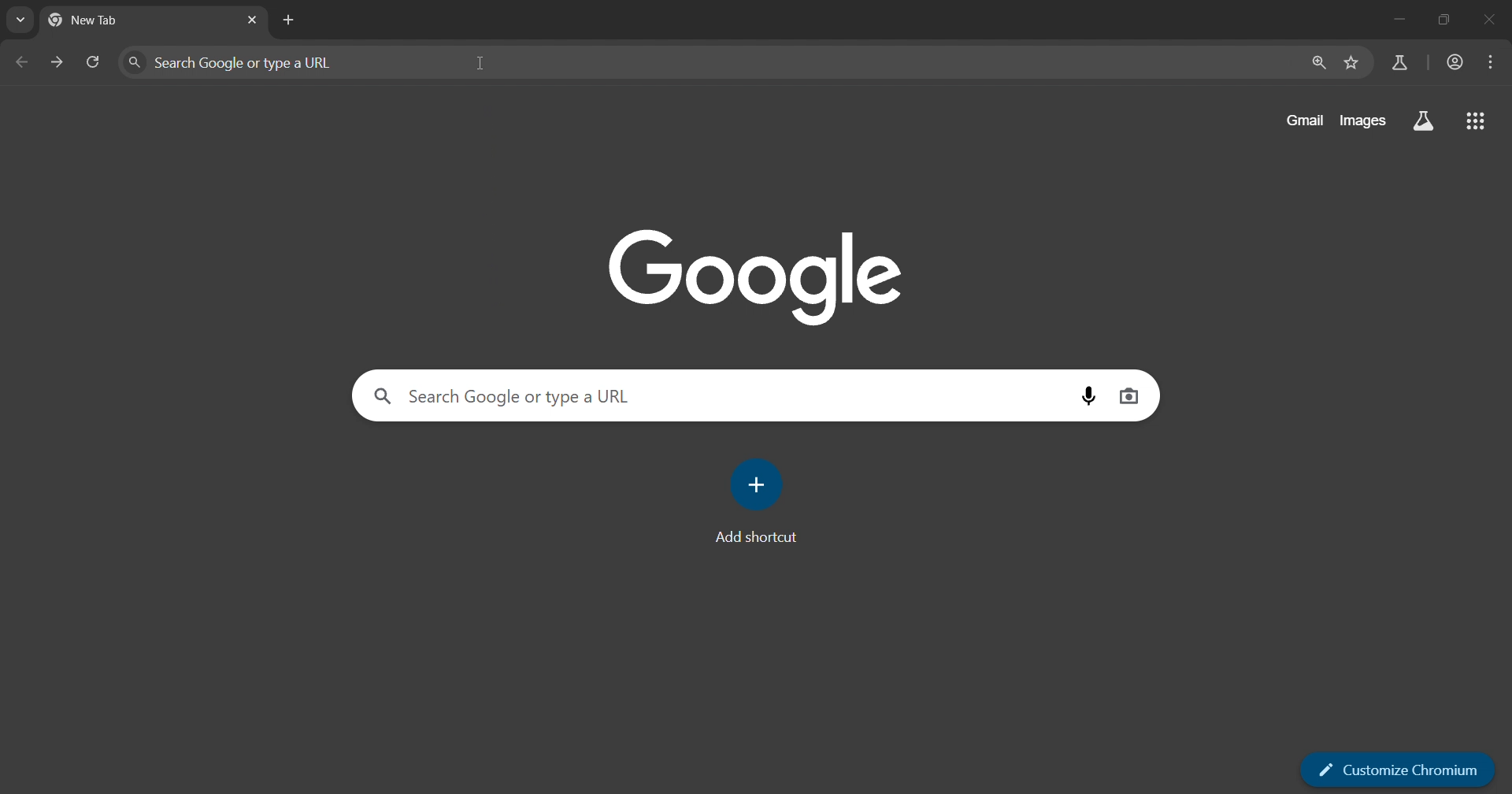 This screenshot has height=794, width=1512. What do you see at coordinates (1403, 770) in the screenshot?
I see `Customize Chrome` at bounding box center [1403, 770].